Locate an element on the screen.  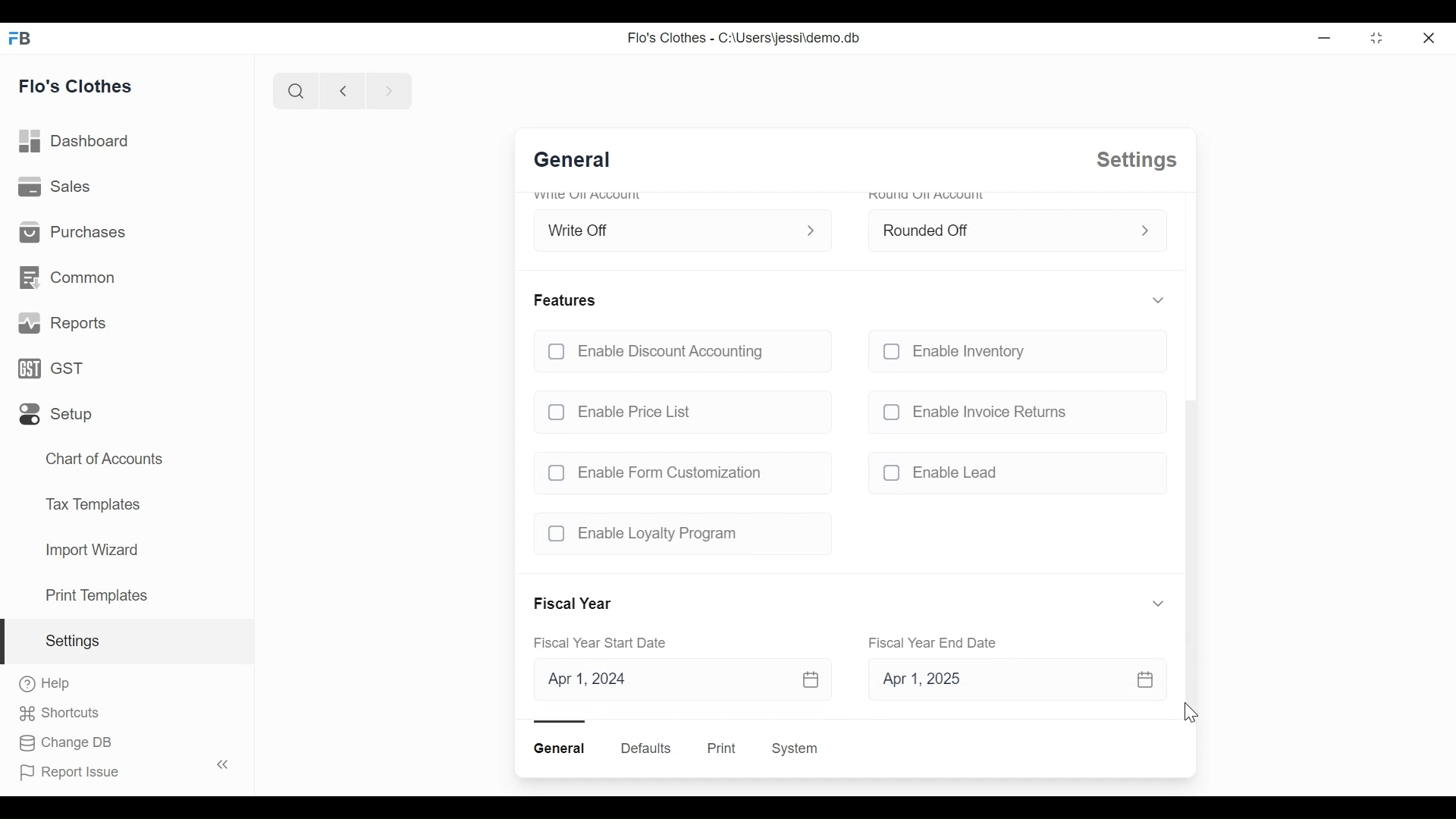
unchecked Enable Inventory is located at coordinates (1012, 354).